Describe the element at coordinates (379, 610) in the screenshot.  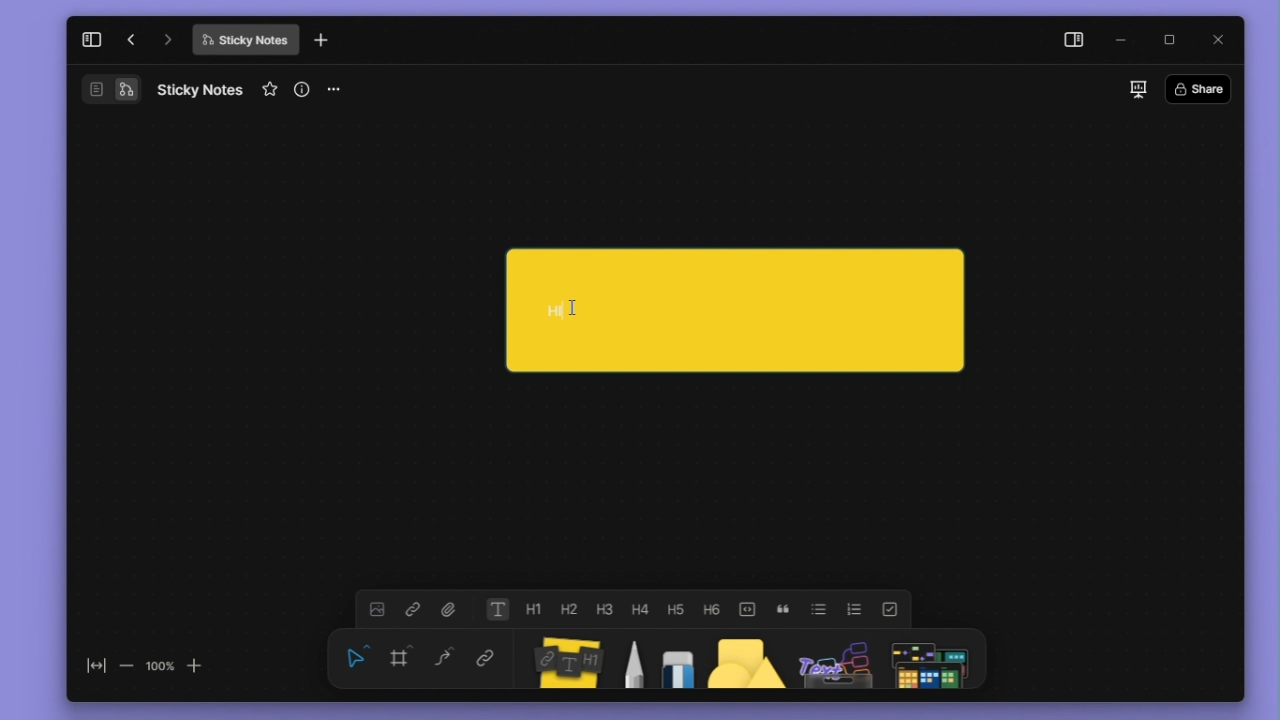
I see `image` at that location.